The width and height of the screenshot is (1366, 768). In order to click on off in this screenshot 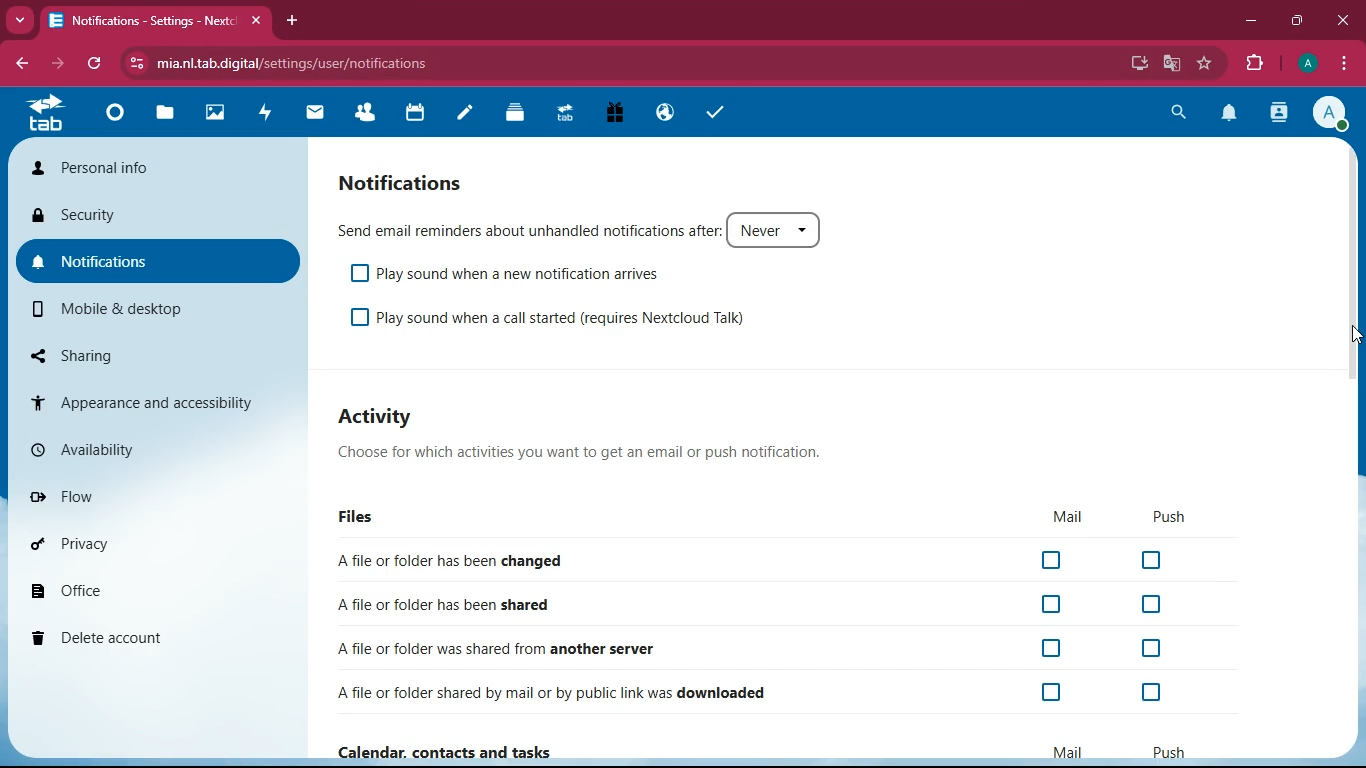, I will do `click(1147, 605)`.